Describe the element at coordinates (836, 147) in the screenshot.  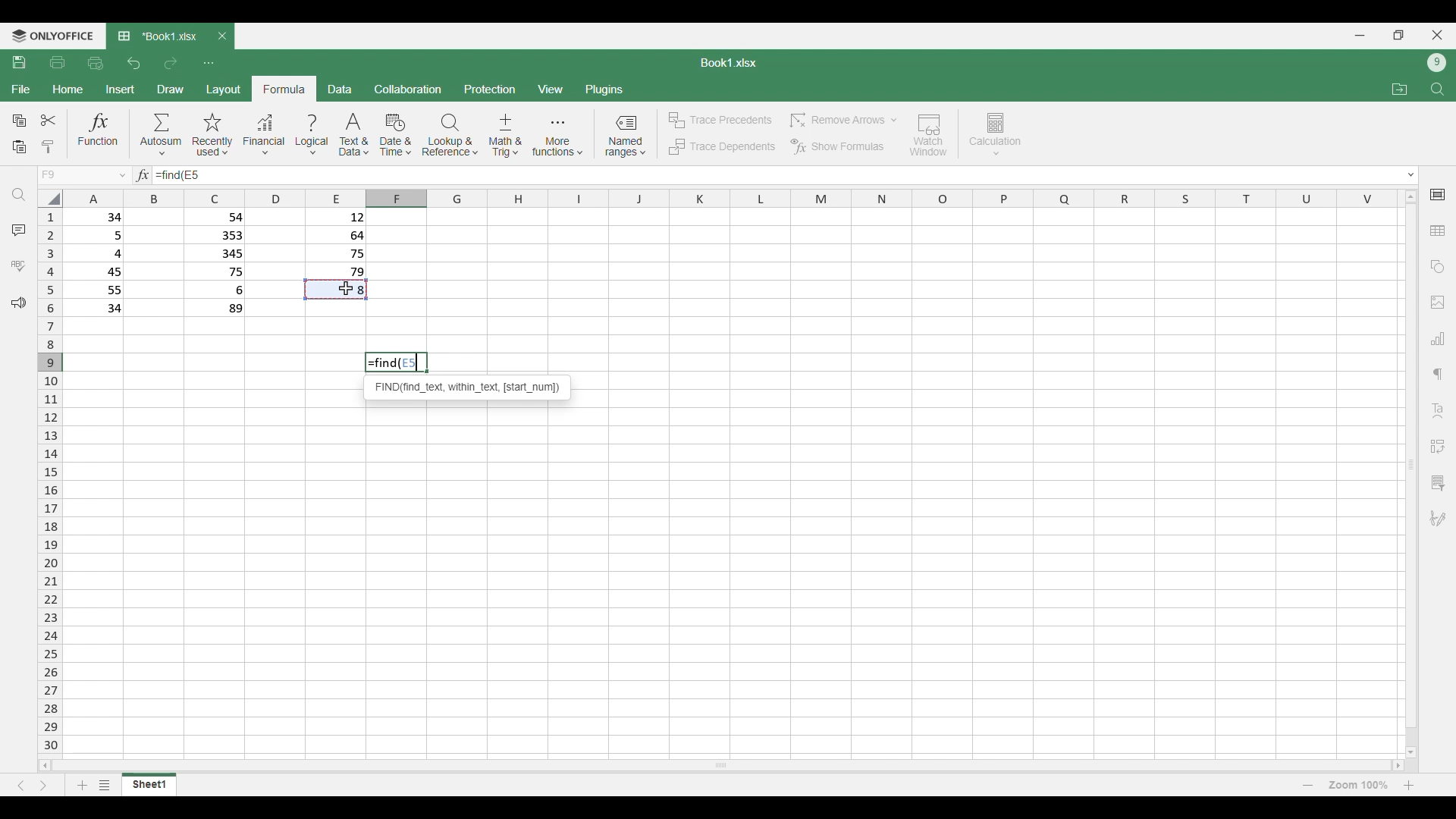
I see `Show formulas` at that location.